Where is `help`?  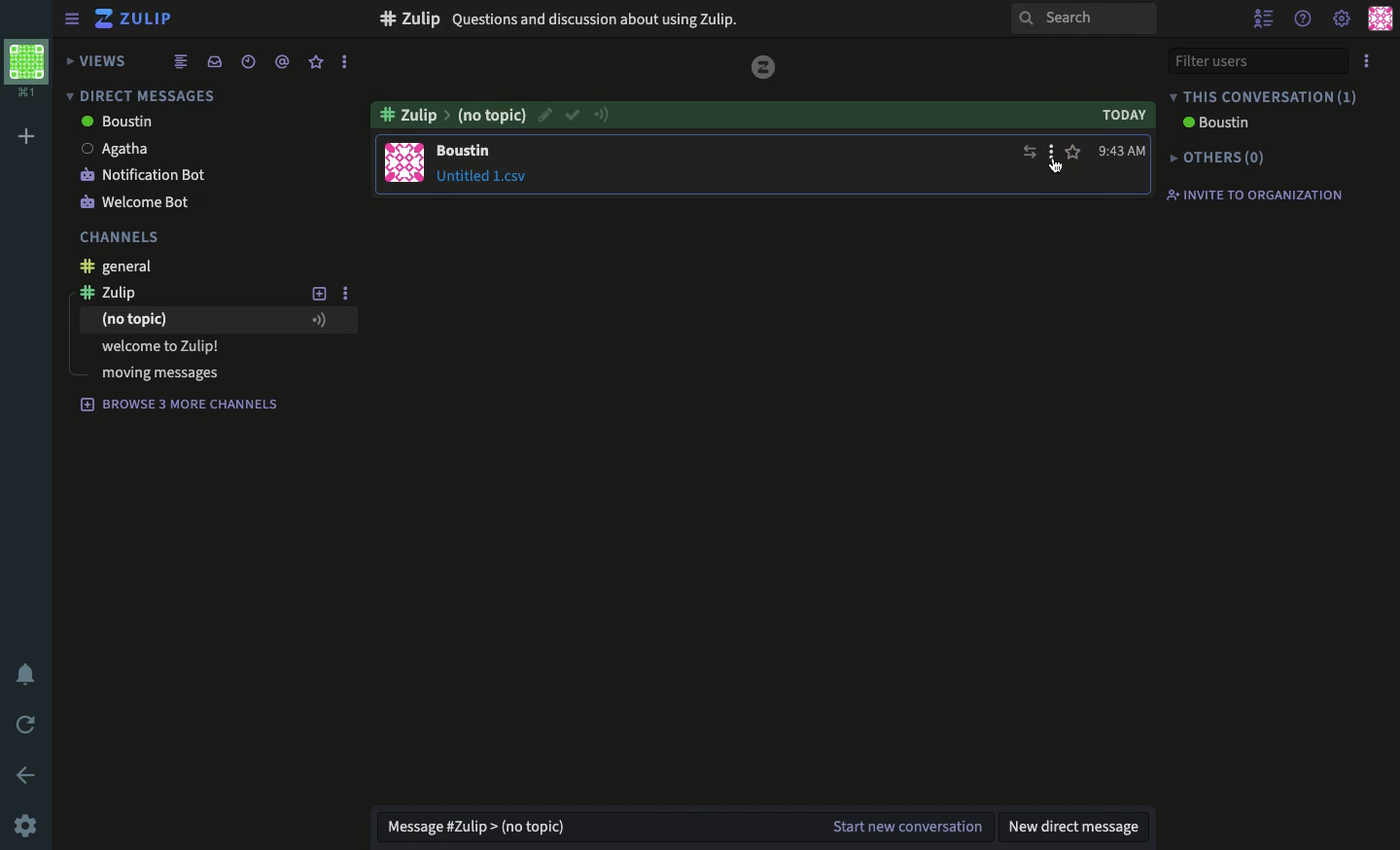
help is located at coordinates (1302, 19).